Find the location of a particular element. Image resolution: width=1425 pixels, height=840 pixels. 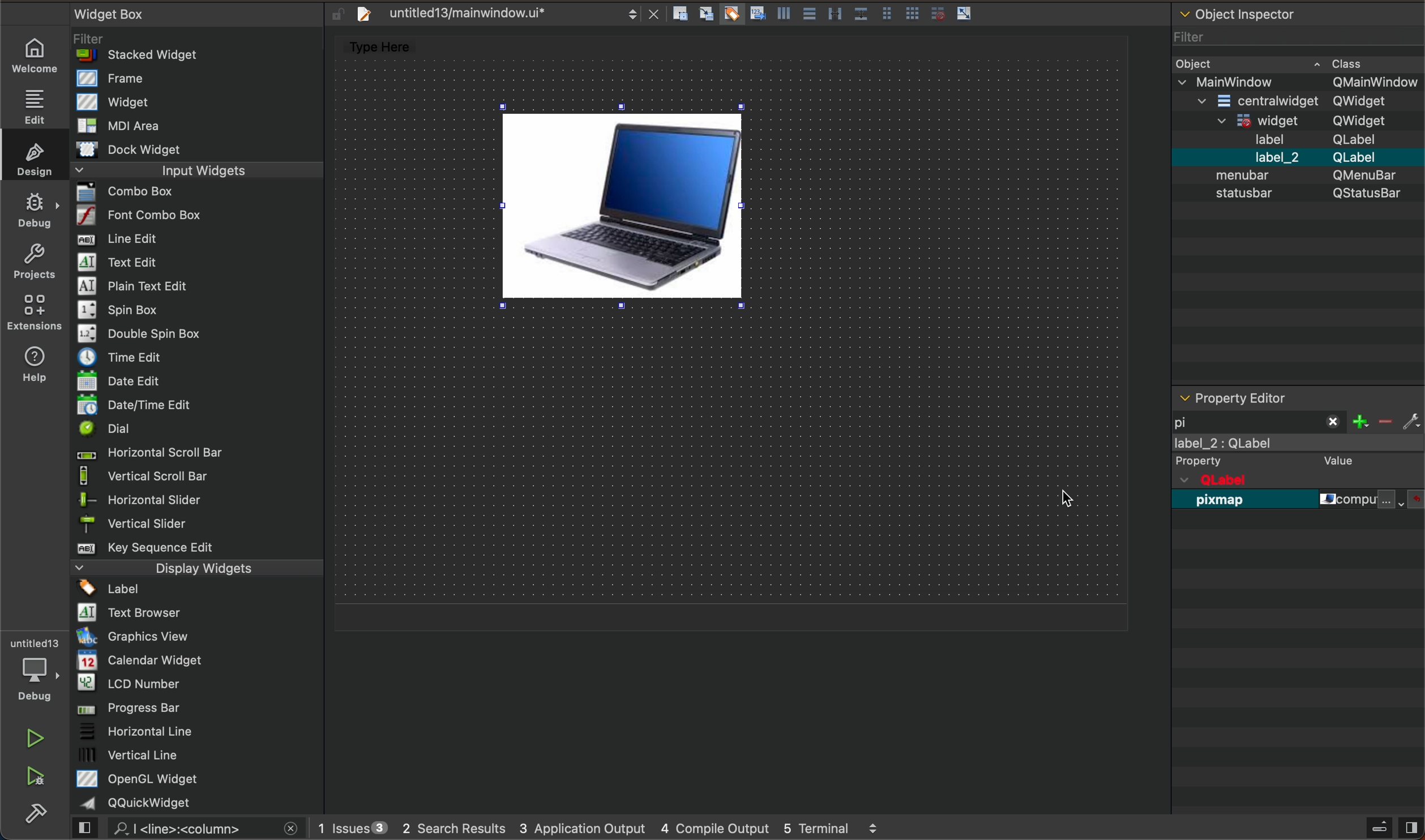

debug is located at coordinates (34, 206).